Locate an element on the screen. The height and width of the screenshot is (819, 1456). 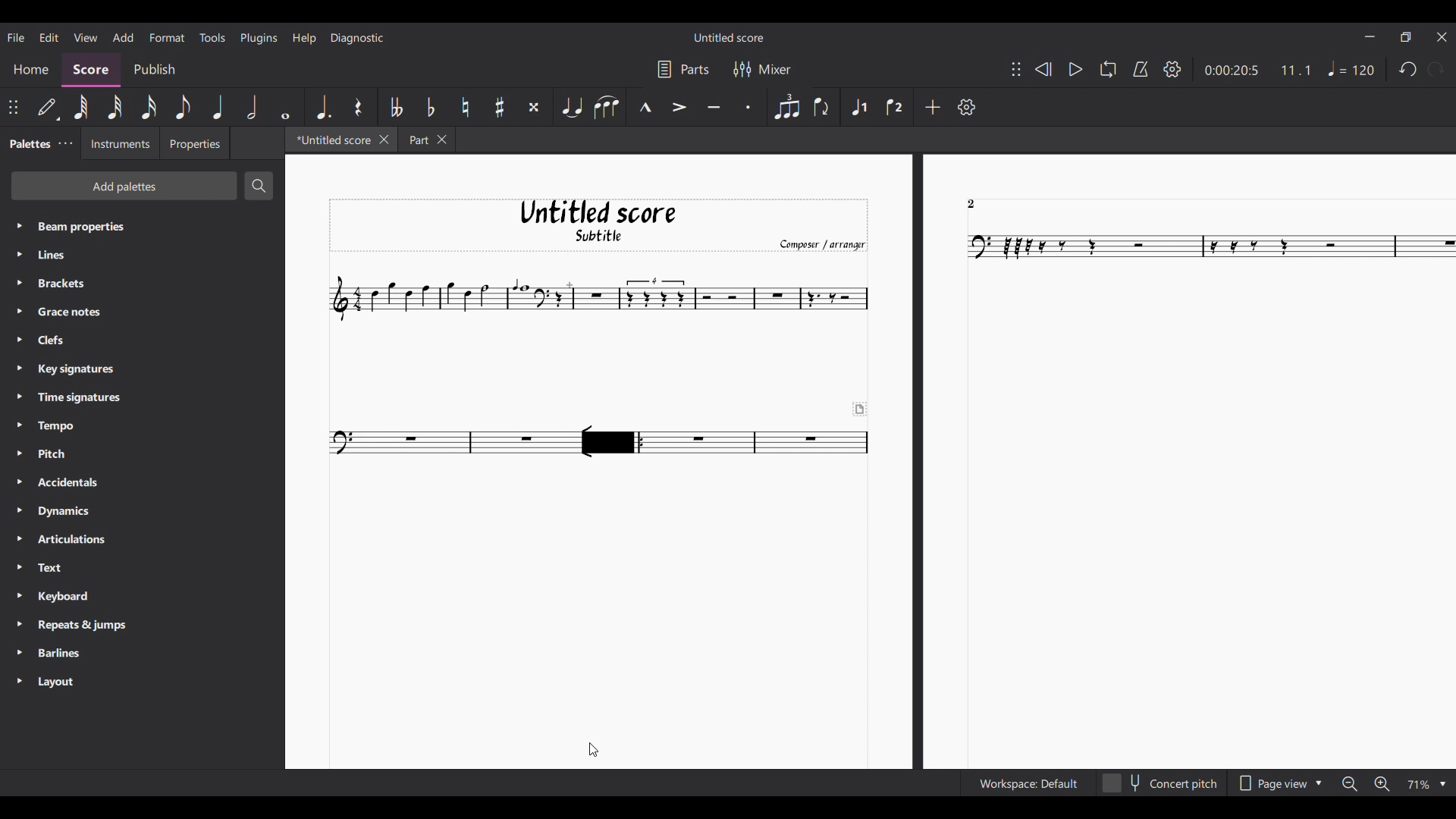
Highlighted by cursor is located at coordinates (612, 442).